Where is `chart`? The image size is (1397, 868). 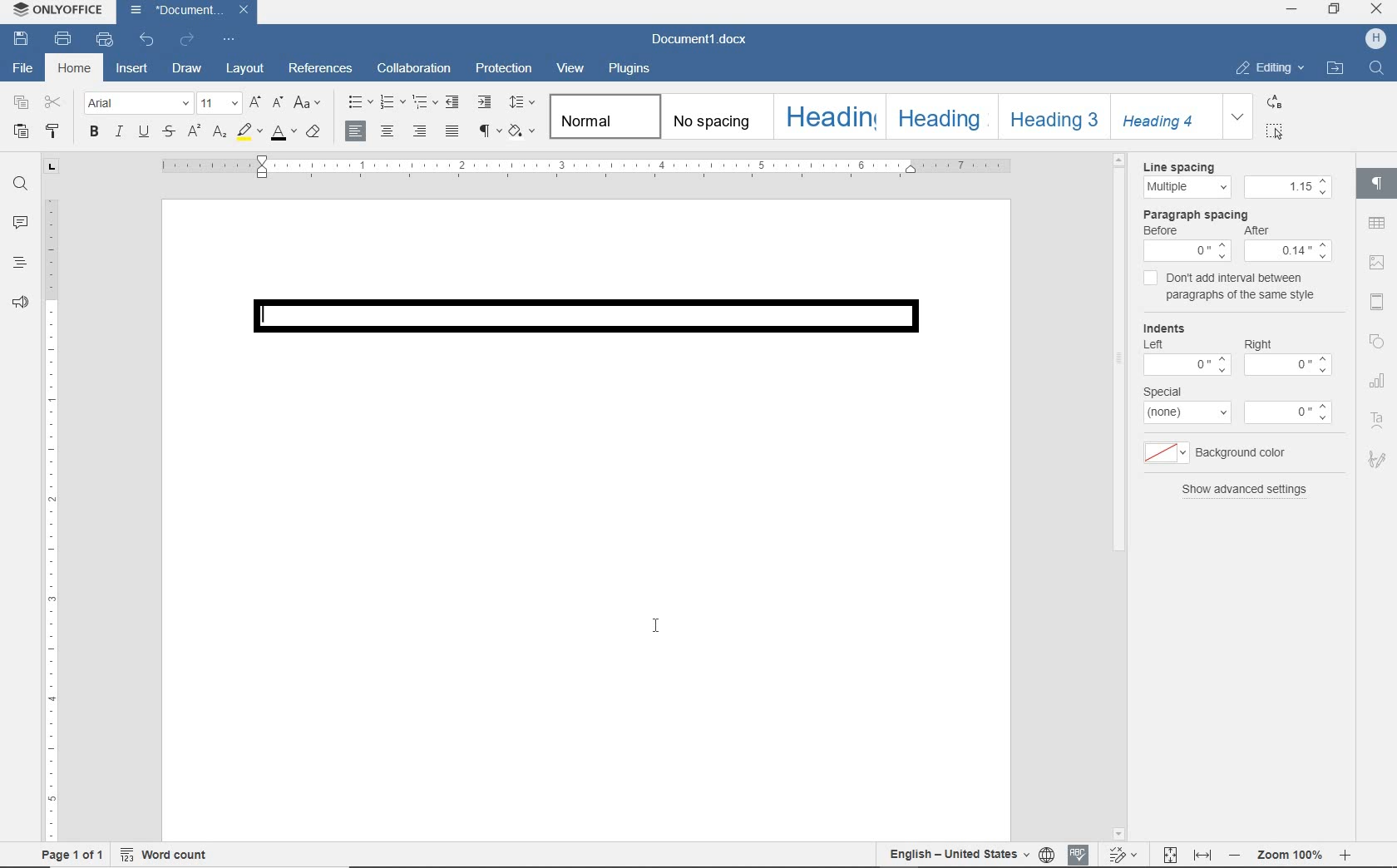
chart is located at coordinates (1377, 380).